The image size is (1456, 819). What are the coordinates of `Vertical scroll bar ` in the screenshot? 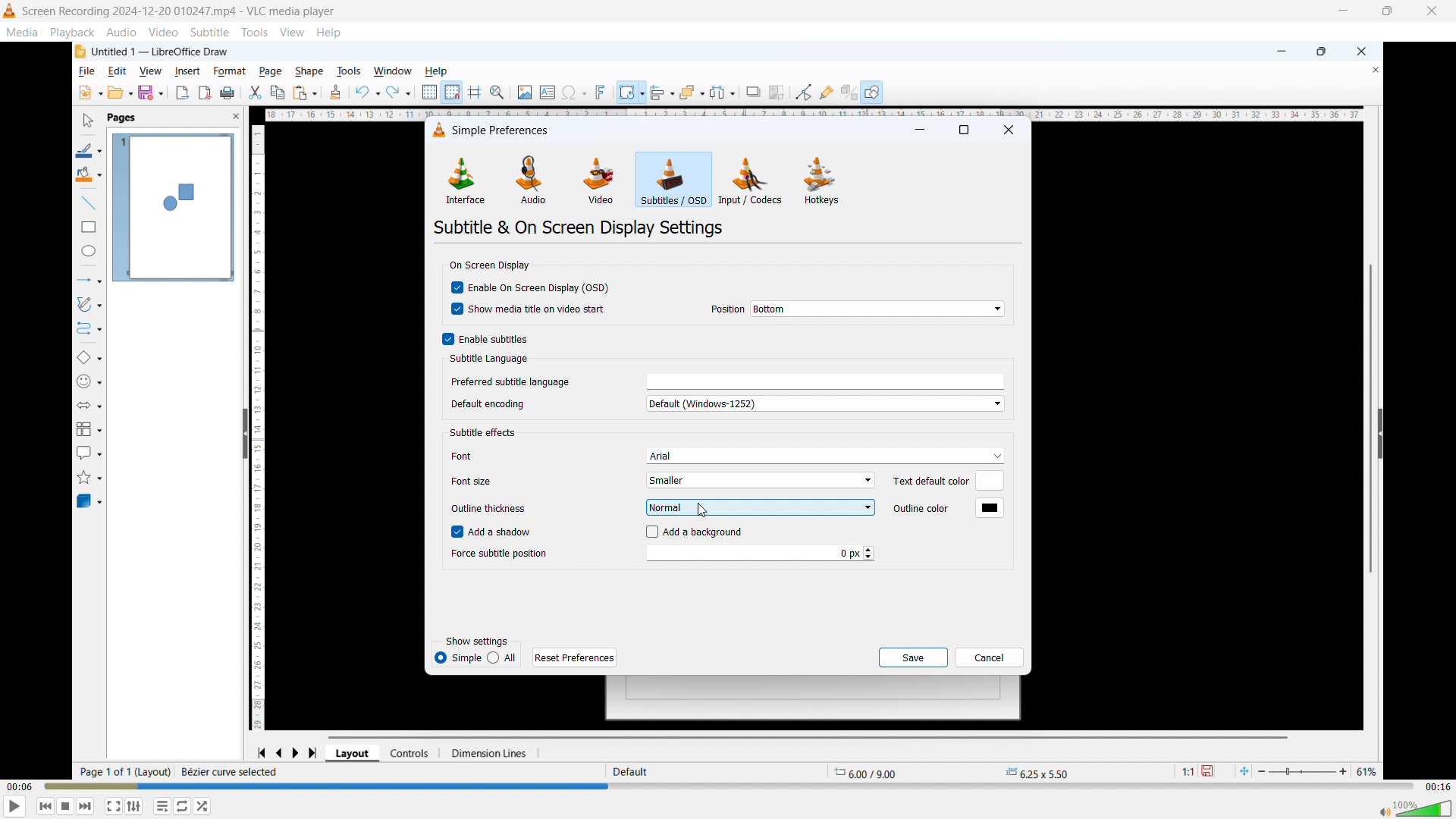 It's located at (1014, 389).